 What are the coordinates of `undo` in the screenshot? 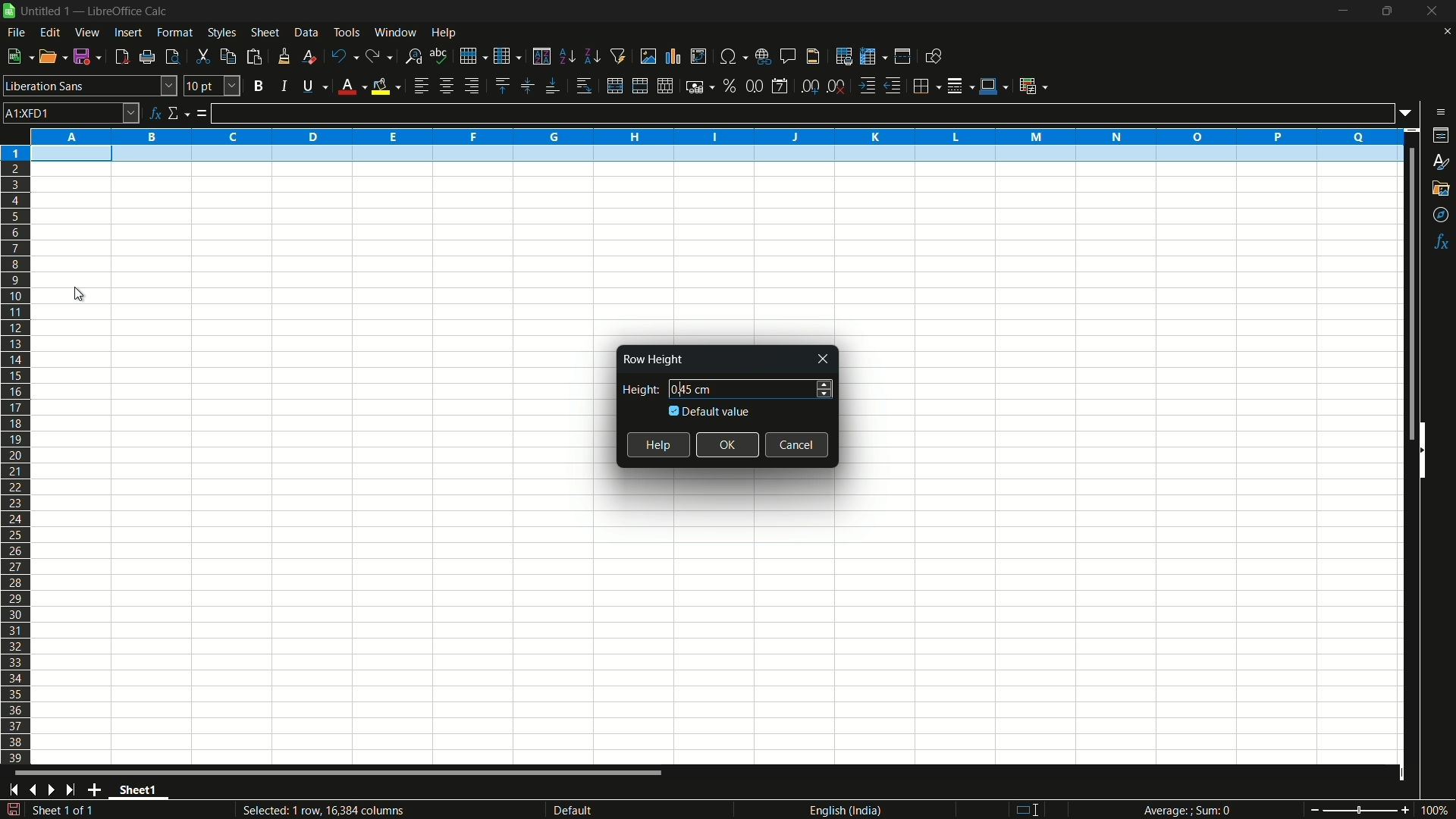 It's located at (341, 55).